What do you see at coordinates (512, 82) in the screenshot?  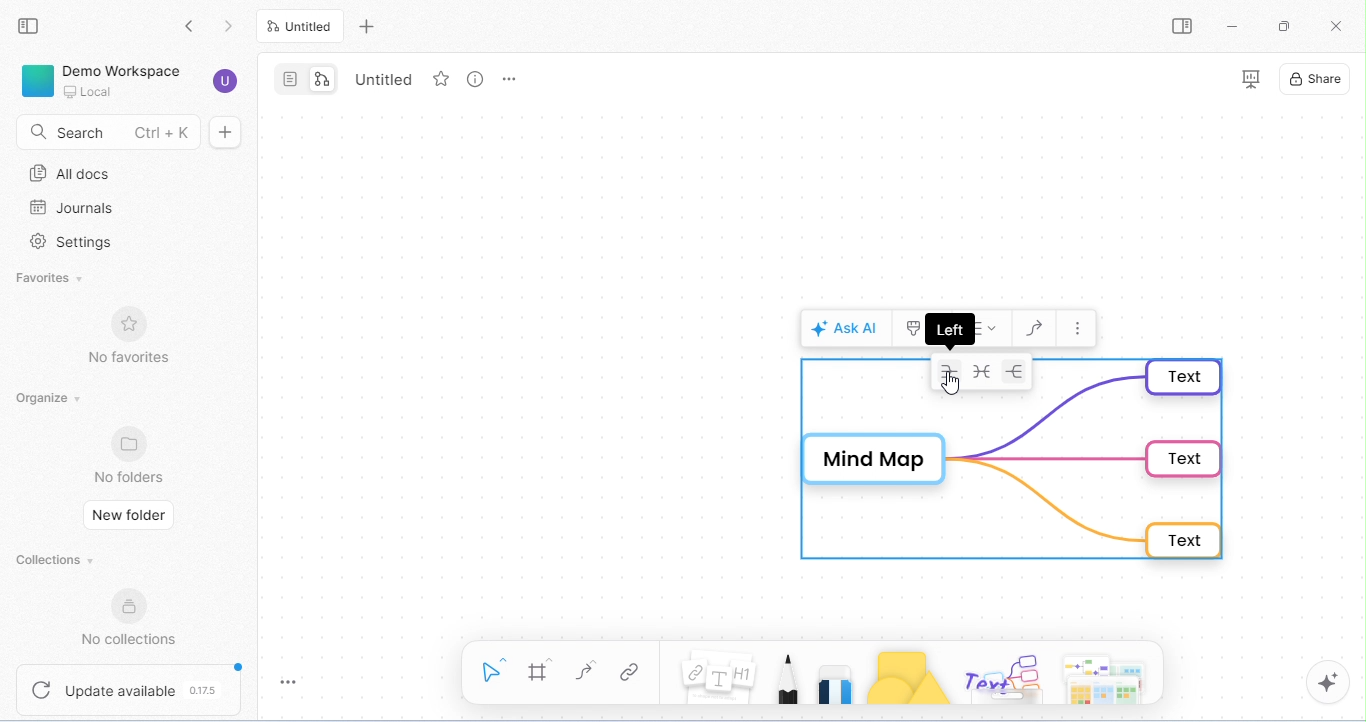 I see `tab options` at bounding box center [512, 82].